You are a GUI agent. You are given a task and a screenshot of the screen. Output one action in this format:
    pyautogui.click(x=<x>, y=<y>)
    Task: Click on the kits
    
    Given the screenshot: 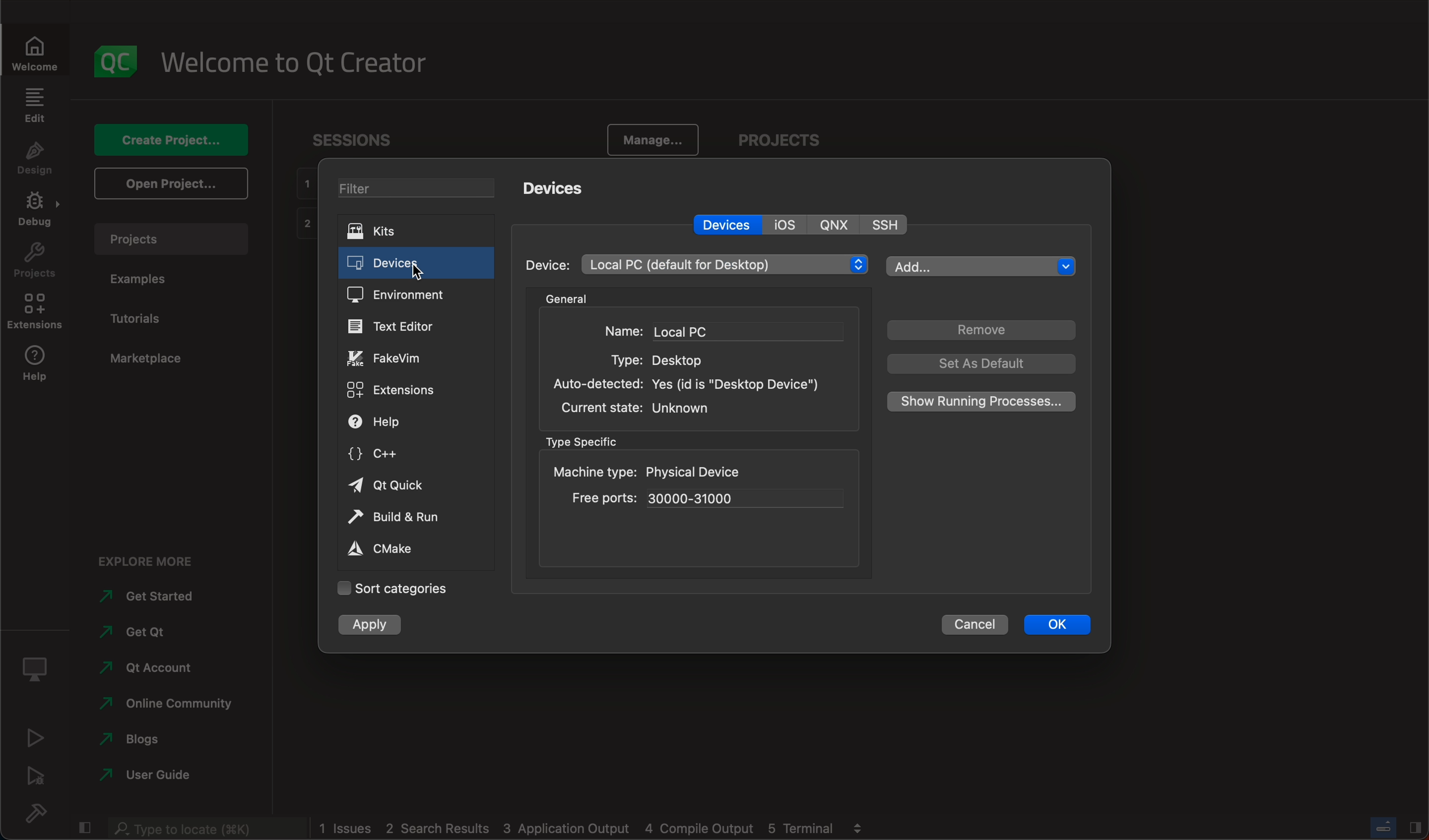 What is the action you would take?
    pyautogui.click(x=421, y=228)
    